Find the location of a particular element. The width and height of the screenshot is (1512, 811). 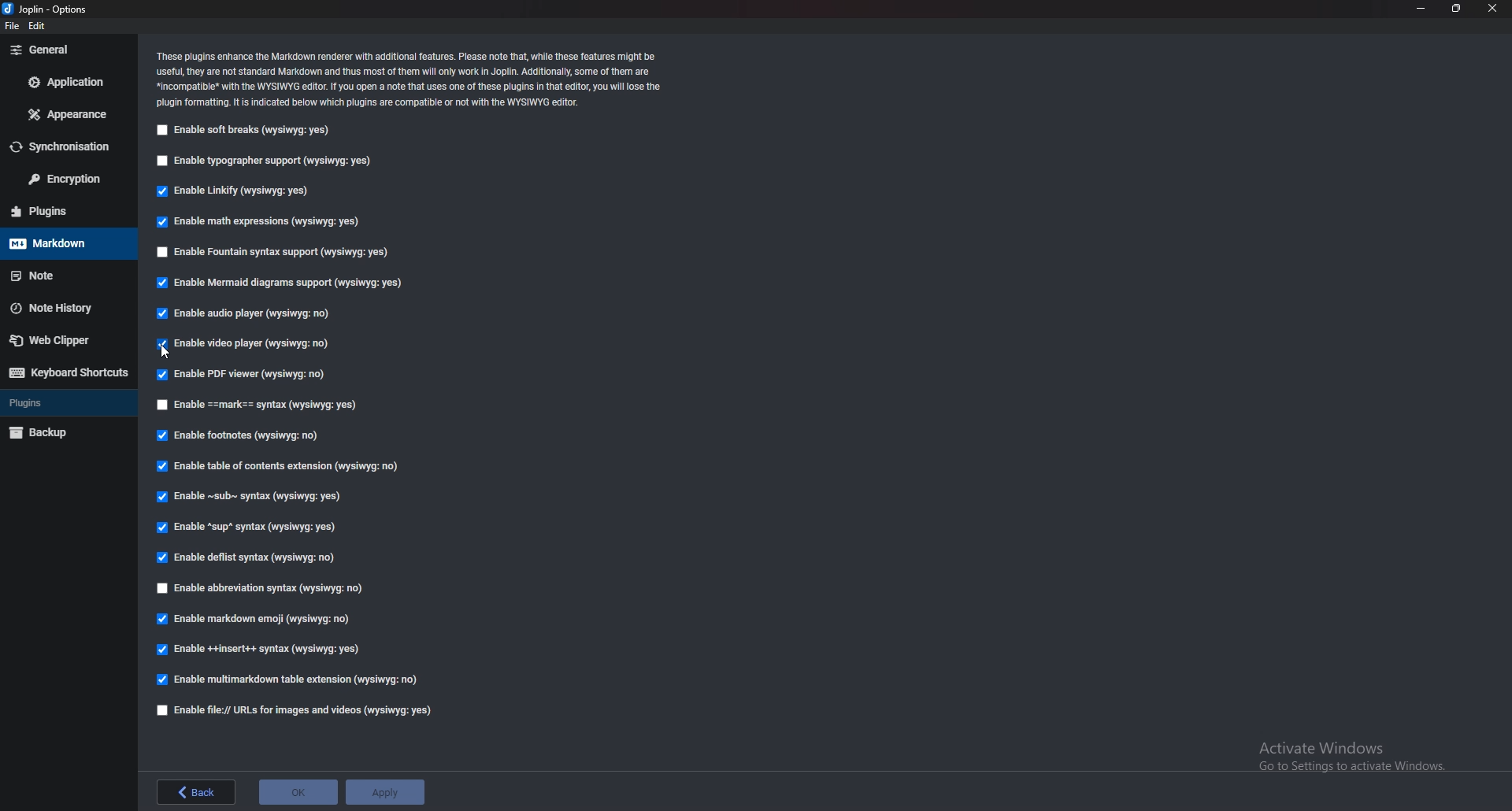

General is located at coordinates (62, 50).